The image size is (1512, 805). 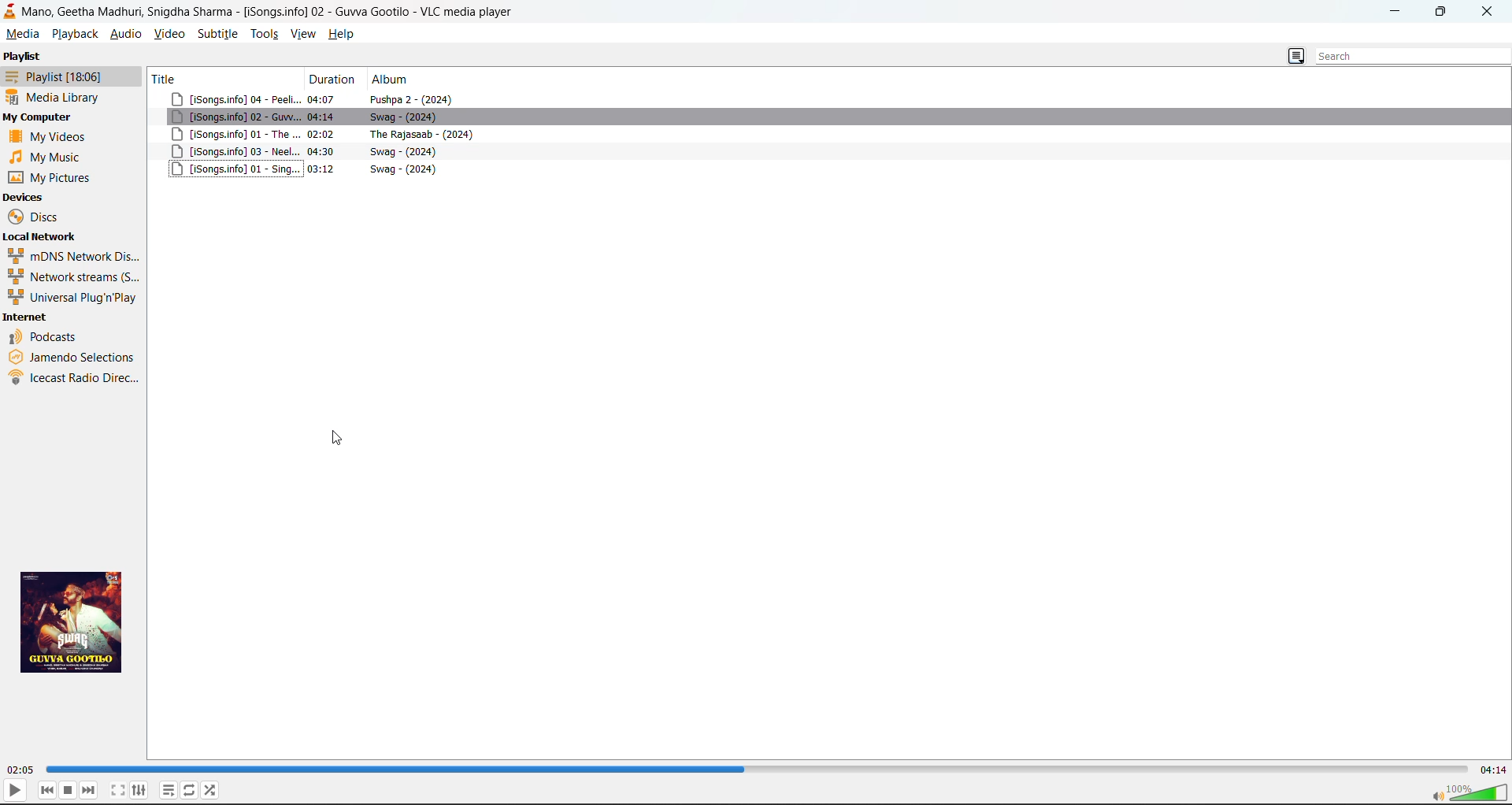 I want to click on jamendo selections, so click(x=74, y=355).